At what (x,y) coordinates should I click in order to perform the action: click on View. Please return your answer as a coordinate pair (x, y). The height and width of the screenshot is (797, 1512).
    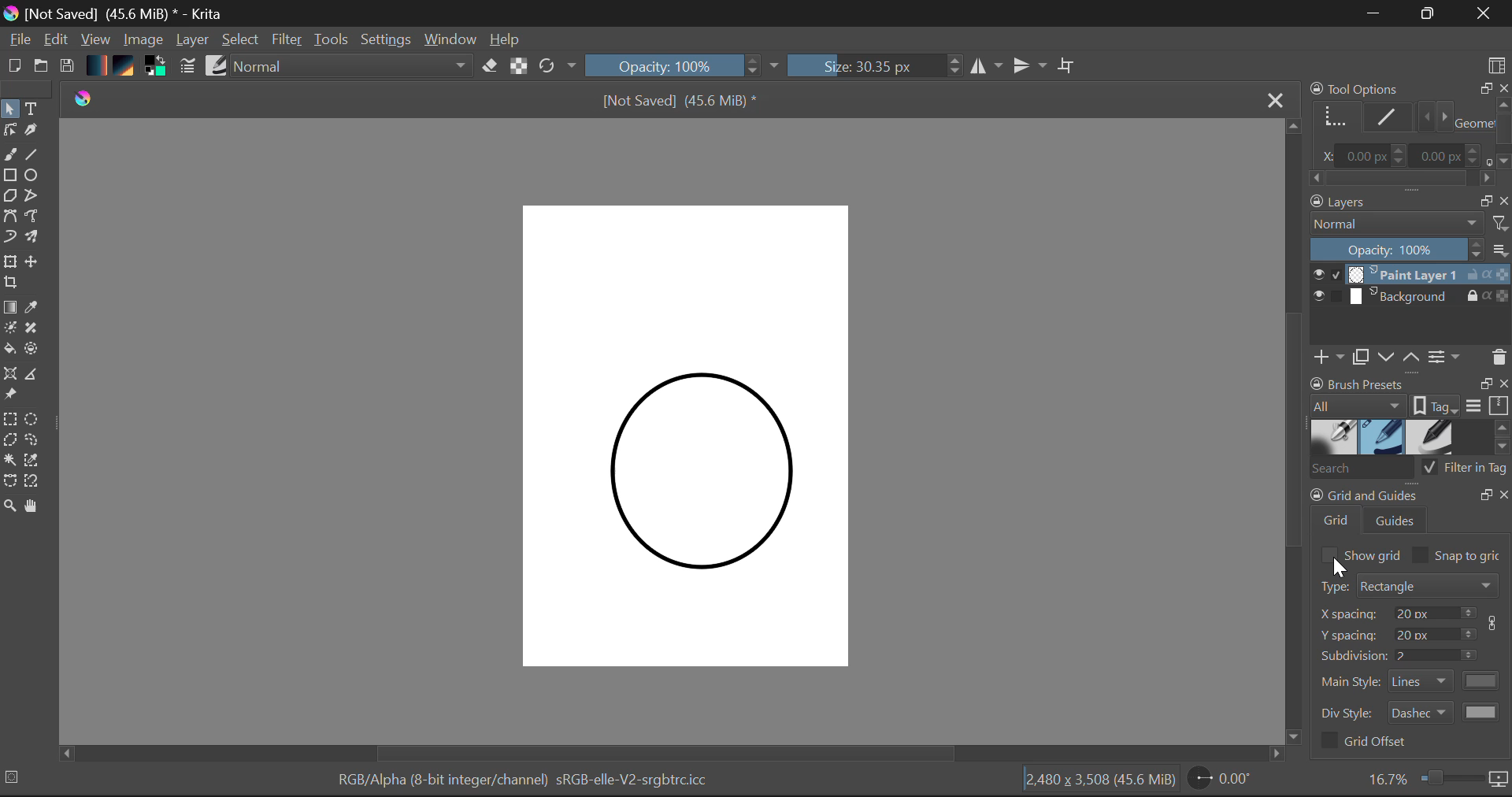
    Looking at the image, I should click on (96, 39).